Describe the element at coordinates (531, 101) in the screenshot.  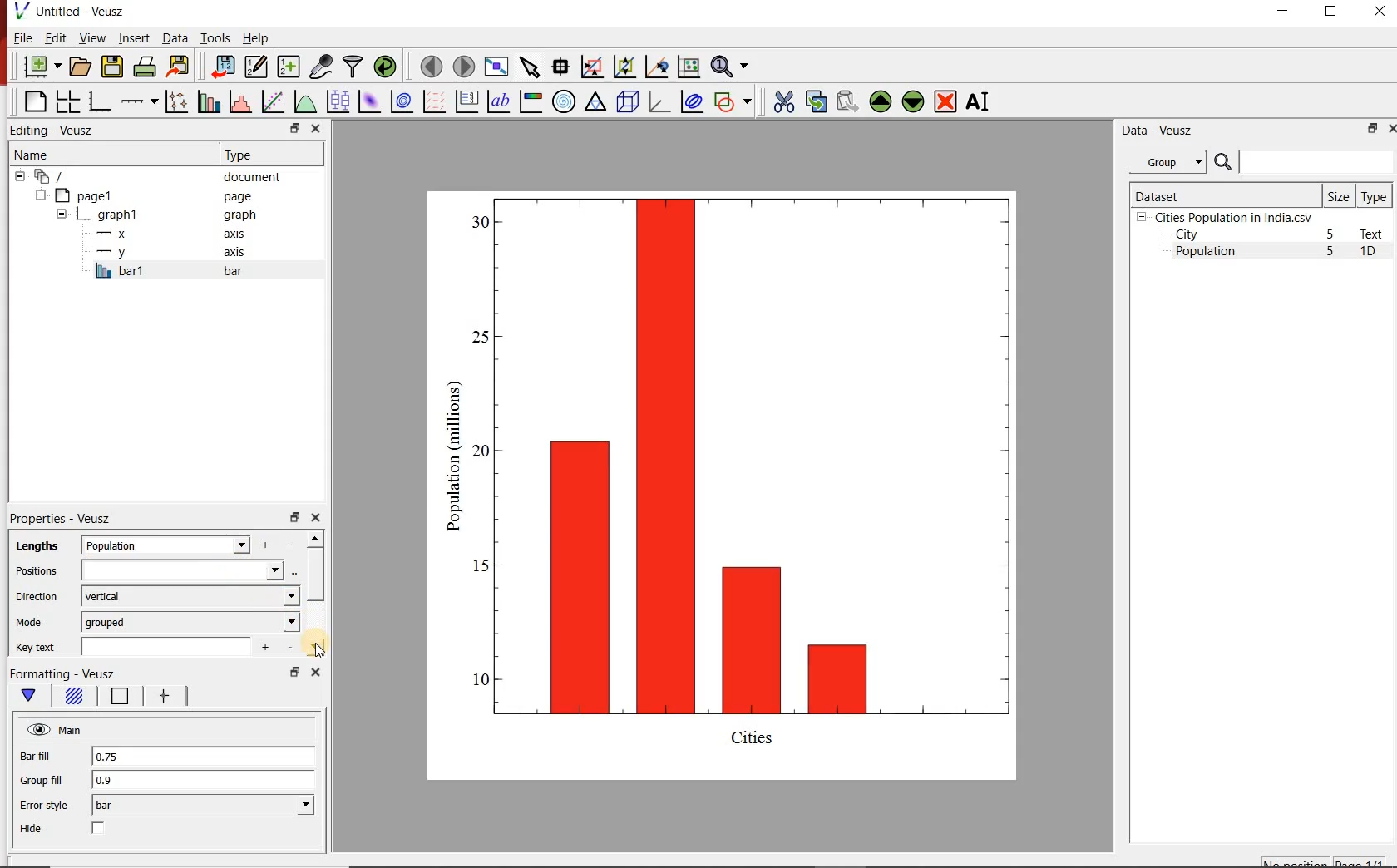
I see `image color bar` at that location.